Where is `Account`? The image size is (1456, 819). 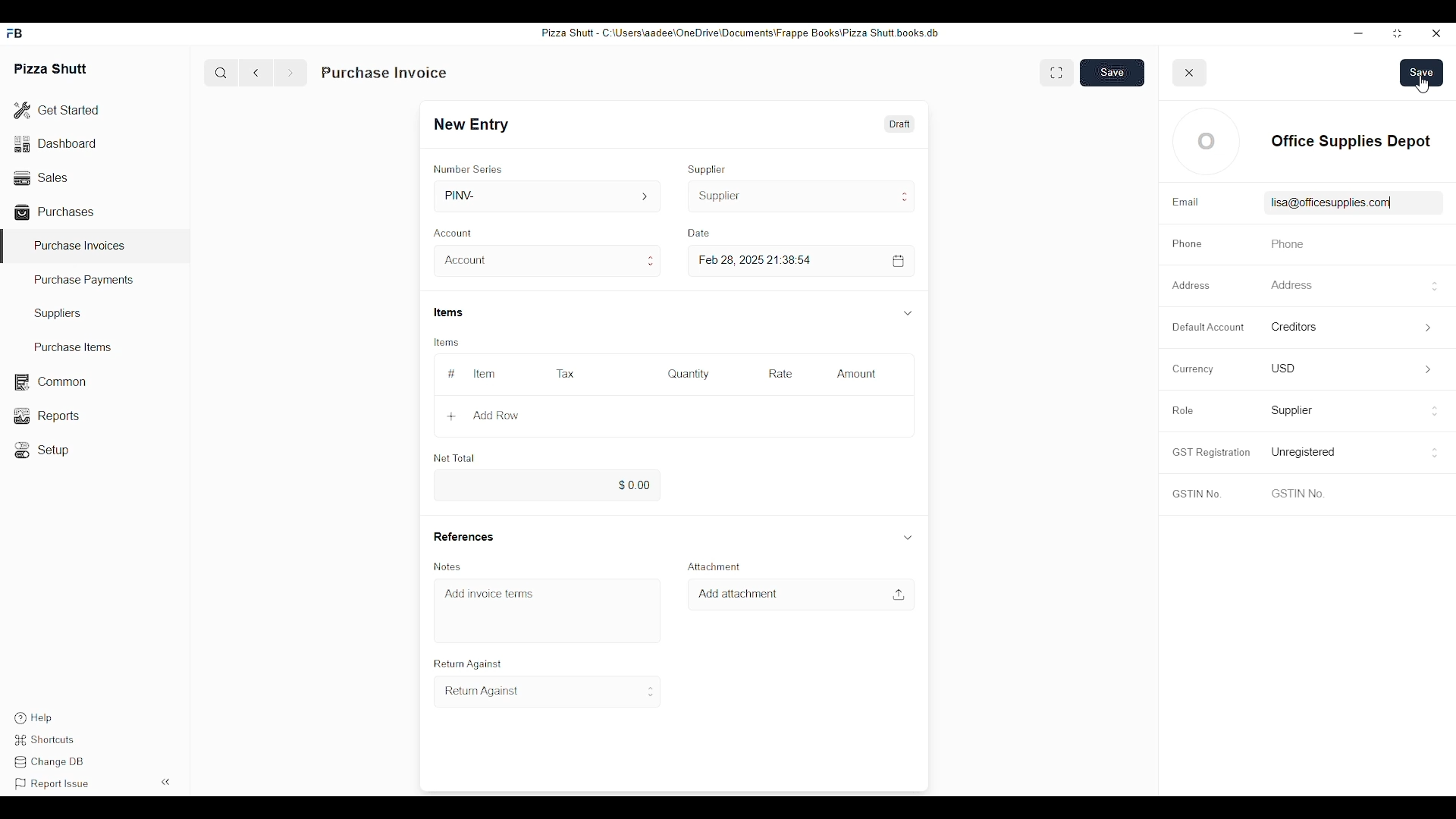 Account is located at coordinates (456, 231).